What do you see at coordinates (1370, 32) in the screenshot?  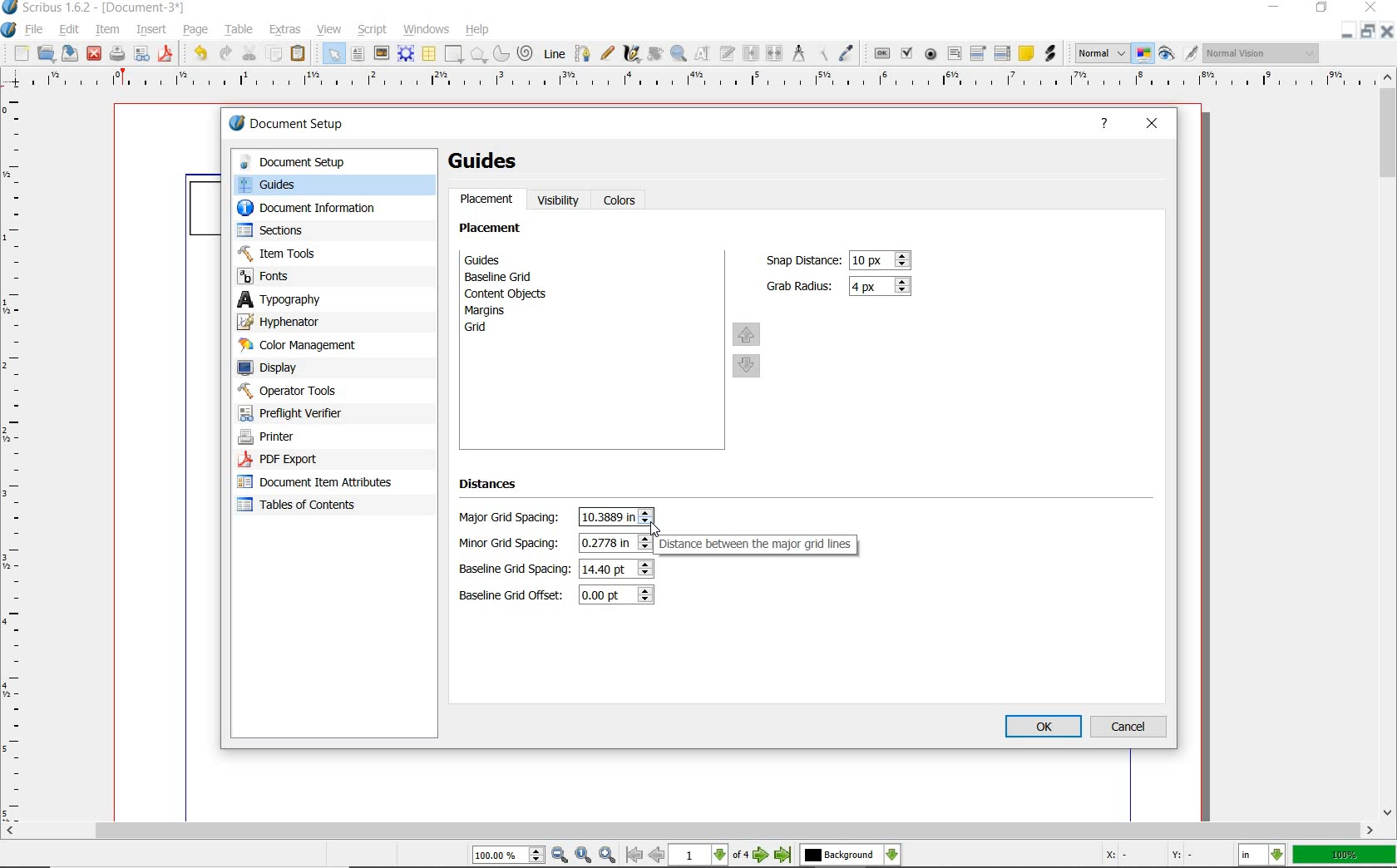 I see `restore` at bounding box center [1370, 32].